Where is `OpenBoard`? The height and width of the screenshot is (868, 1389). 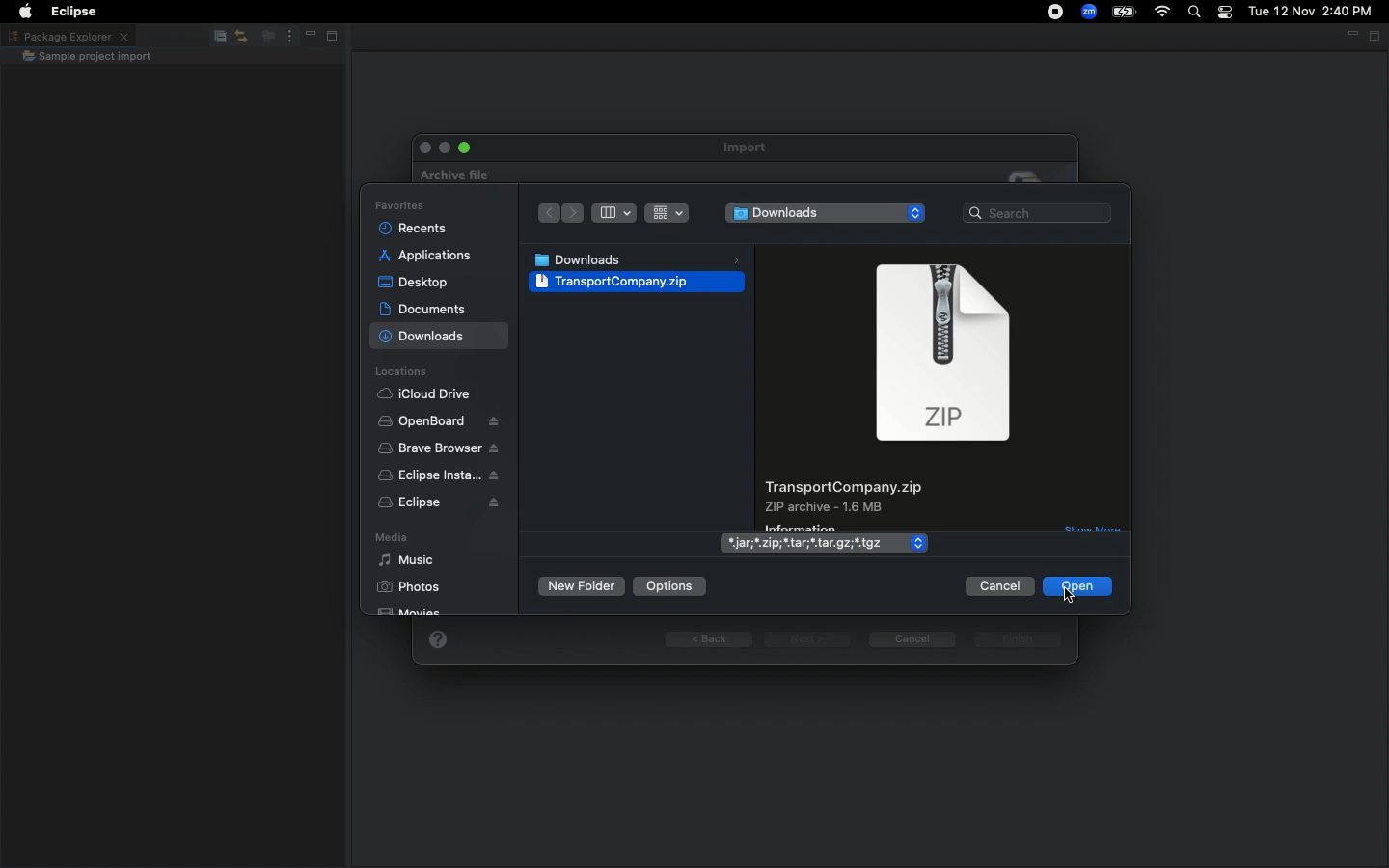 OpenBoard is located at coordinates (438, 421).